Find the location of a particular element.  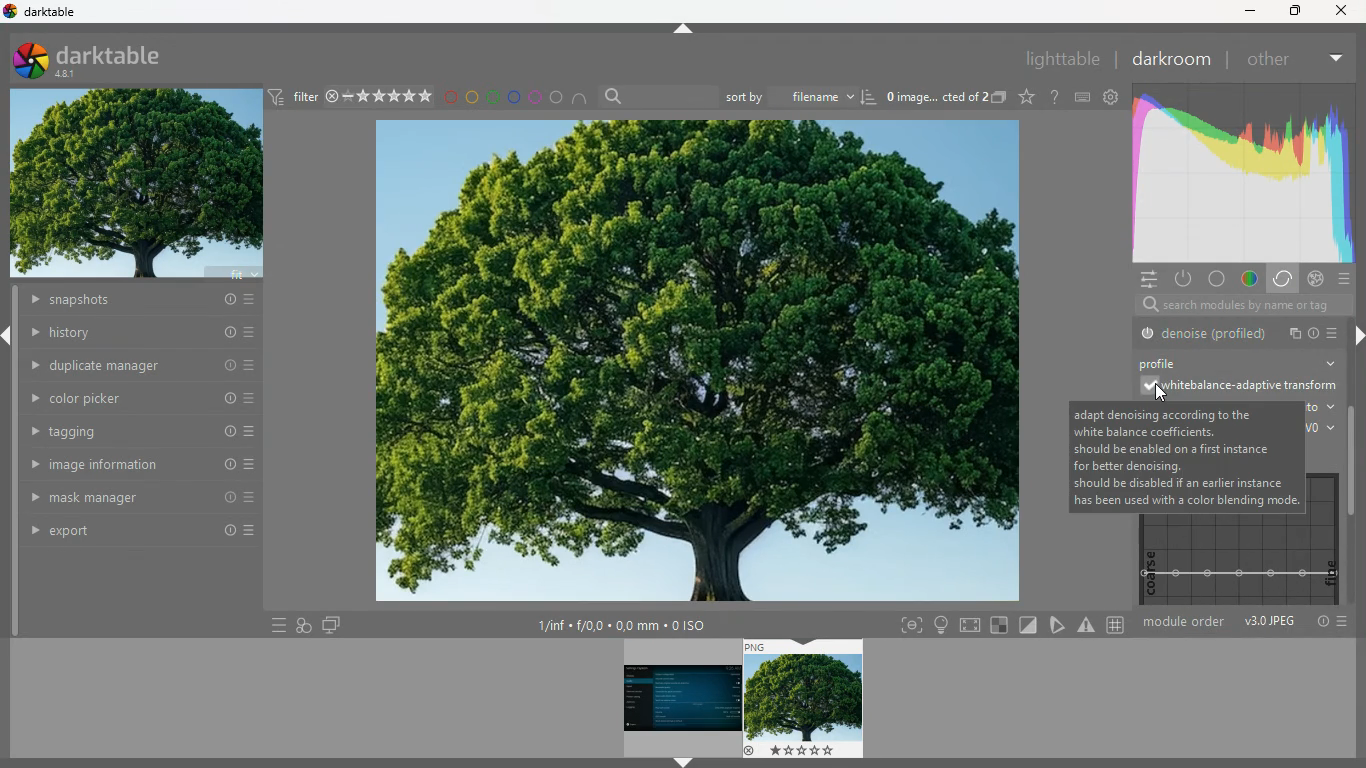

red is located at coordinates (450, 98).